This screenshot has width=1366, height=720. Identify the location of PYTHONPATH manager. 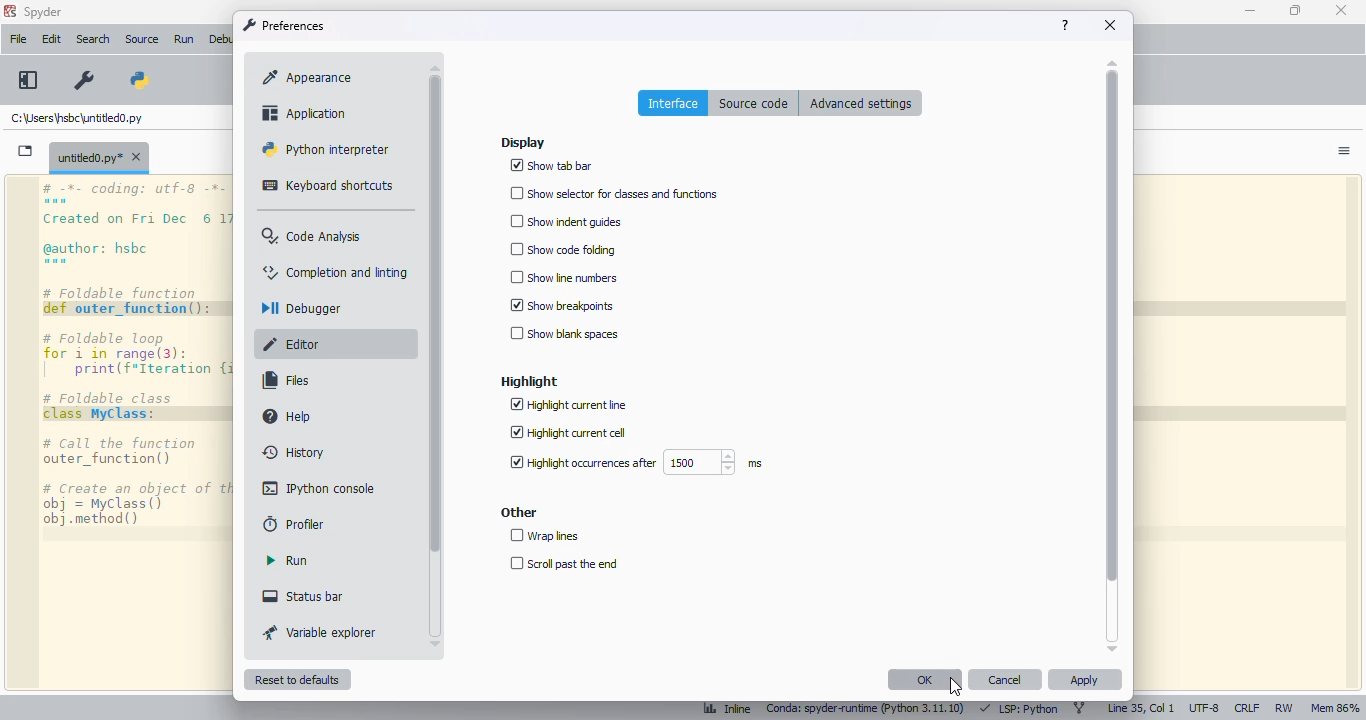
(143, 79).